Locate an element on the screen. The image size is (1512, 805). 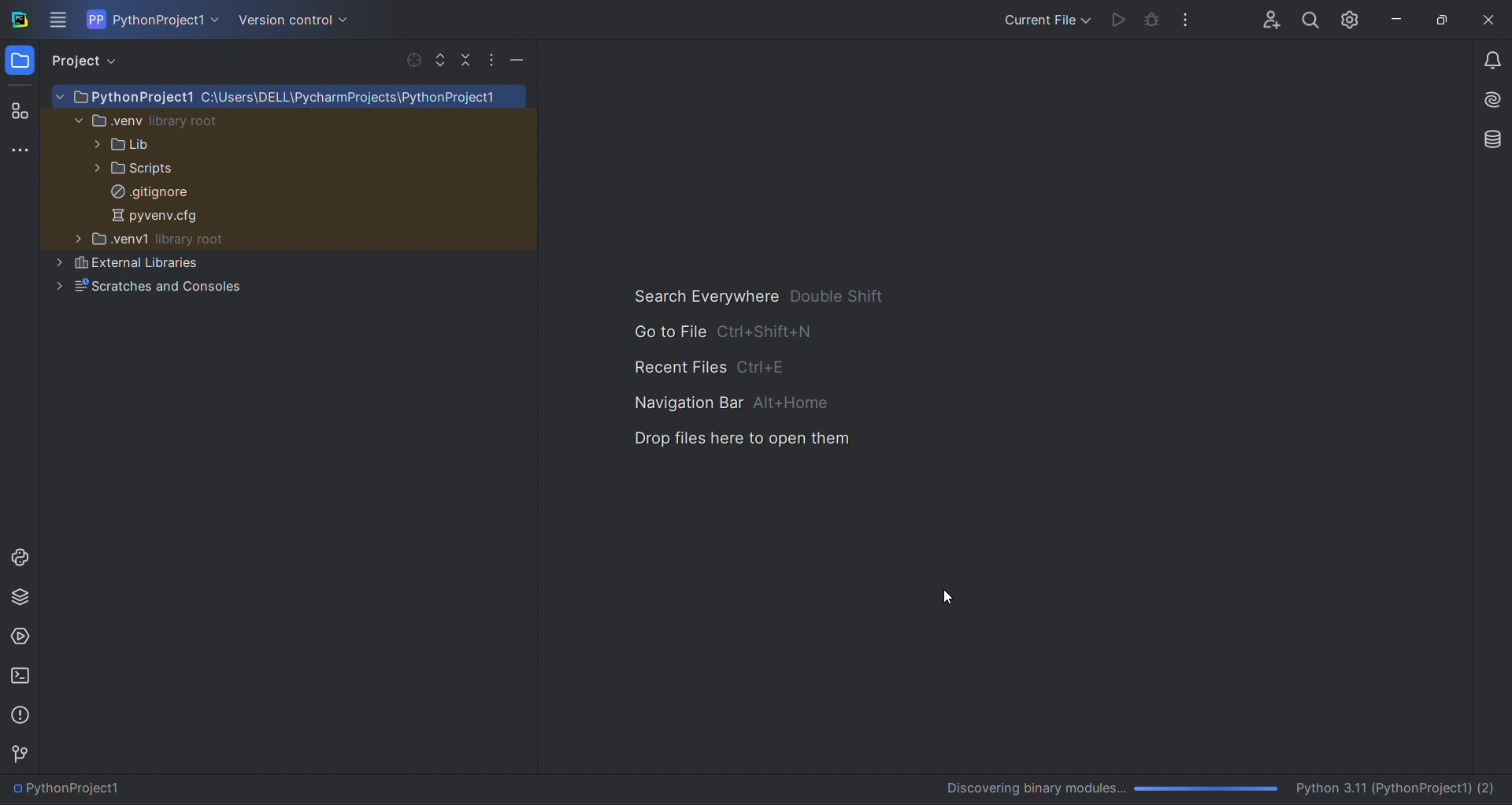
project is located at coordinates (89, 61).